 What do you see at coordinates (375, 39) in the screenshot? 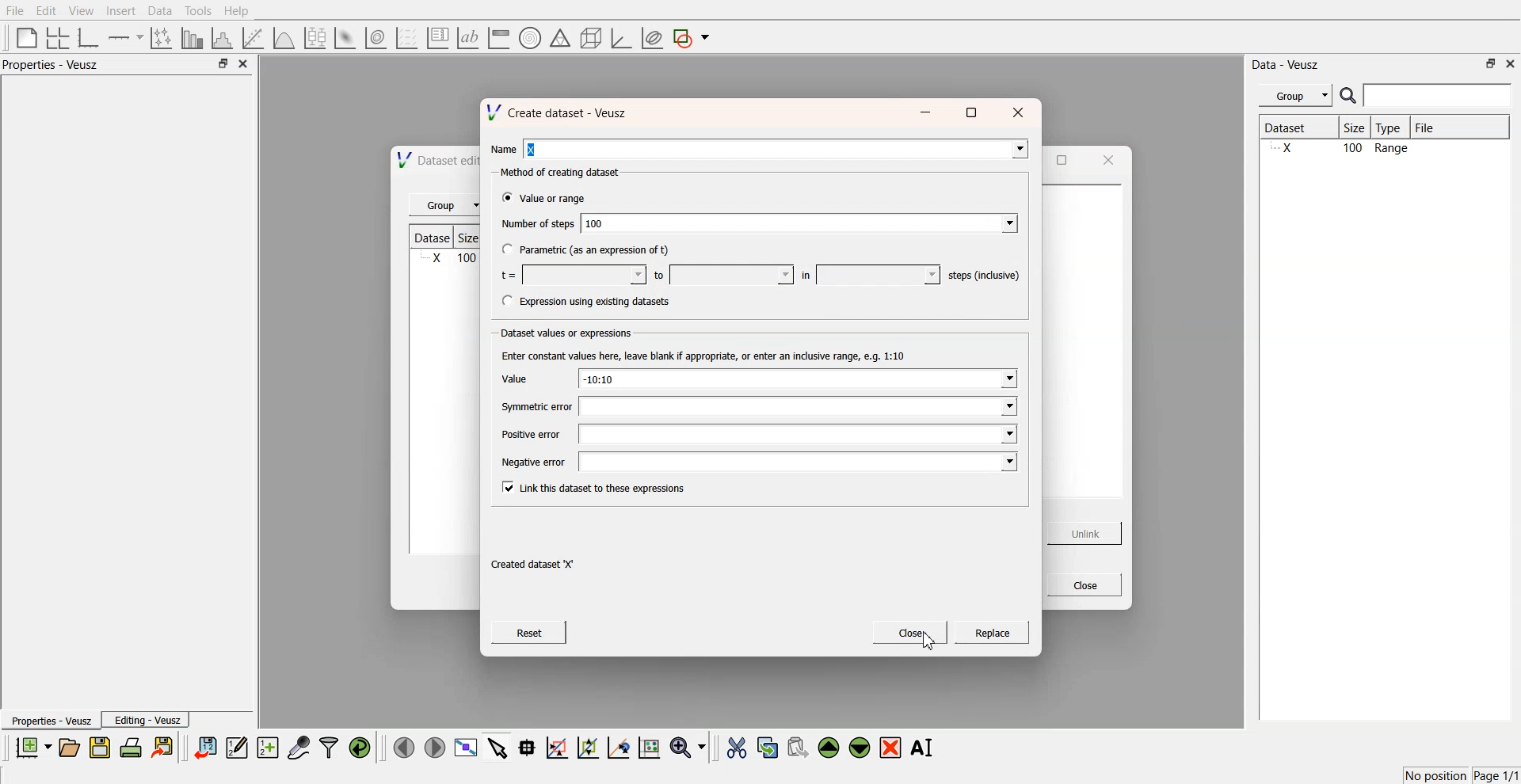
I see `plot a 2d data set as contour` at bounding box center [375, 39].